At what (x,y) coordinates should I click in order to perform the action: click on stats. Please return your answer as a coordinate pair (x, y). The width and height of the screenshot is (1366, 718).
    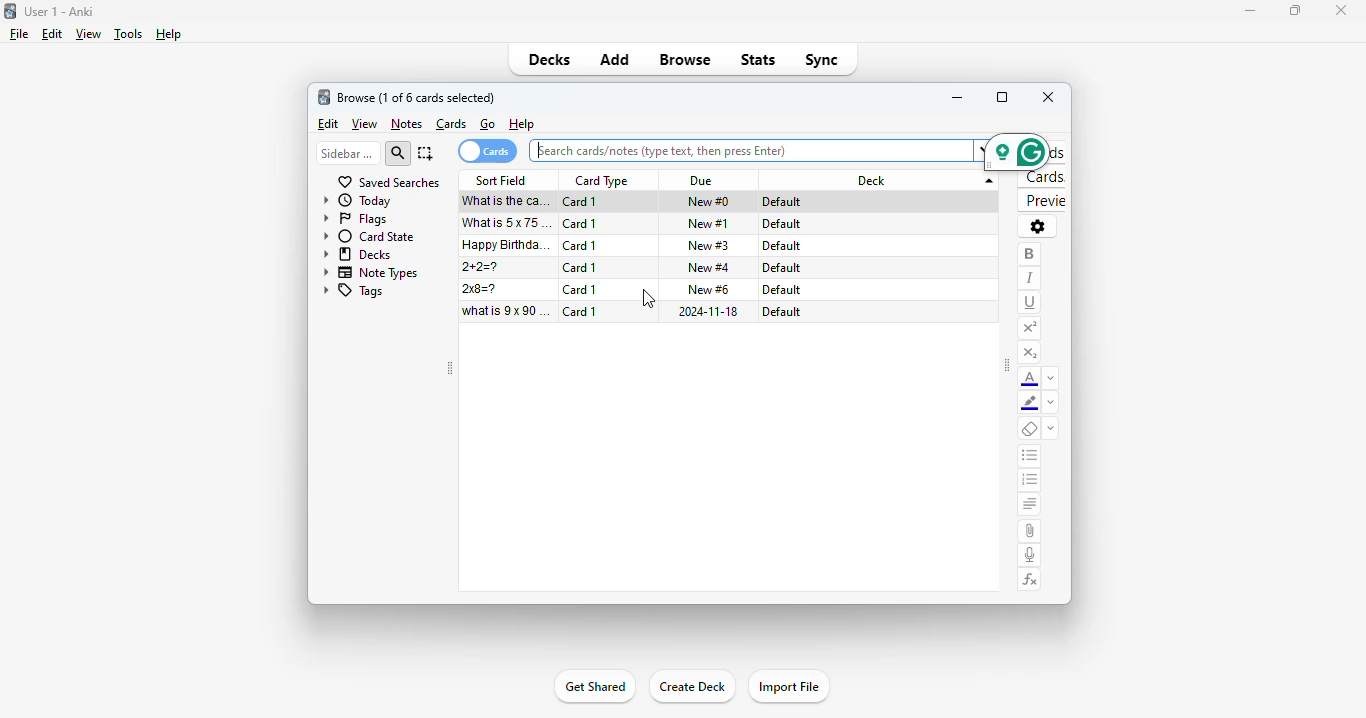
    Looking at the image, I should click on (758, 59).